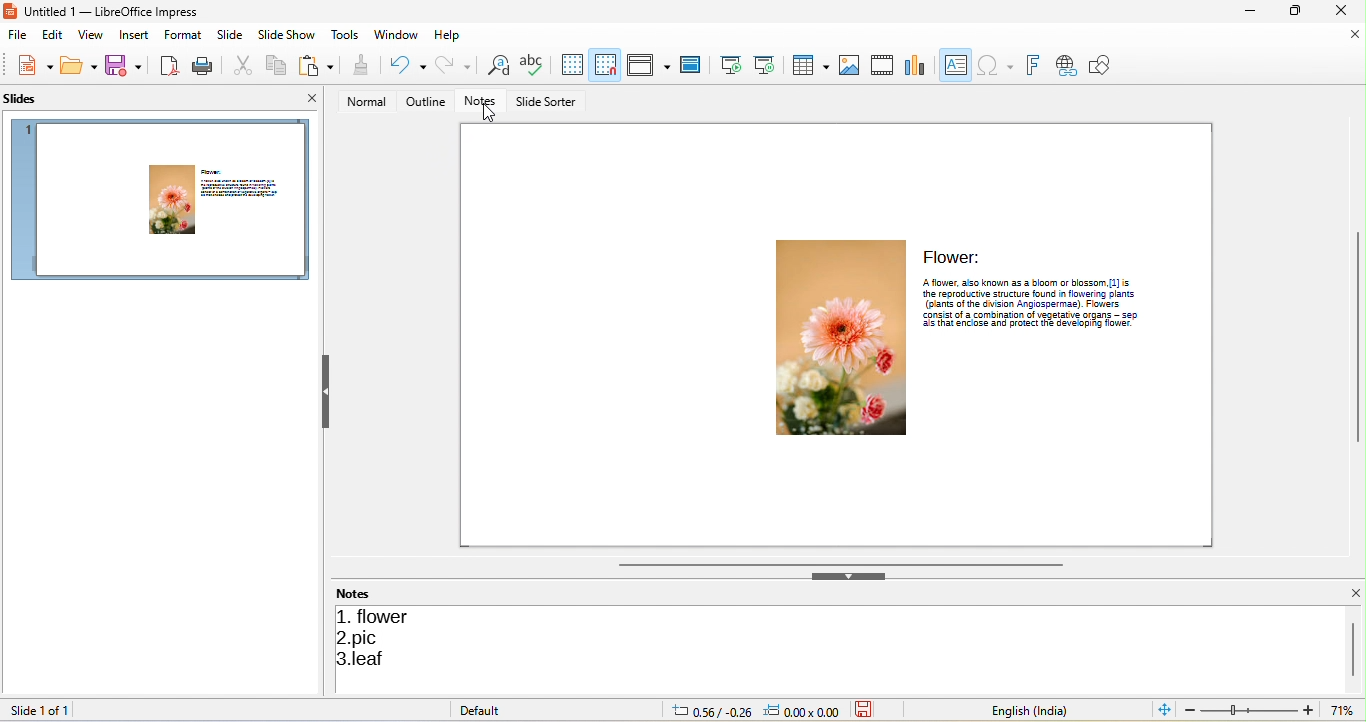  What do you see at coordinates (450, 34) in the screenshot?
I see `help` at bounding box center [450, 34].